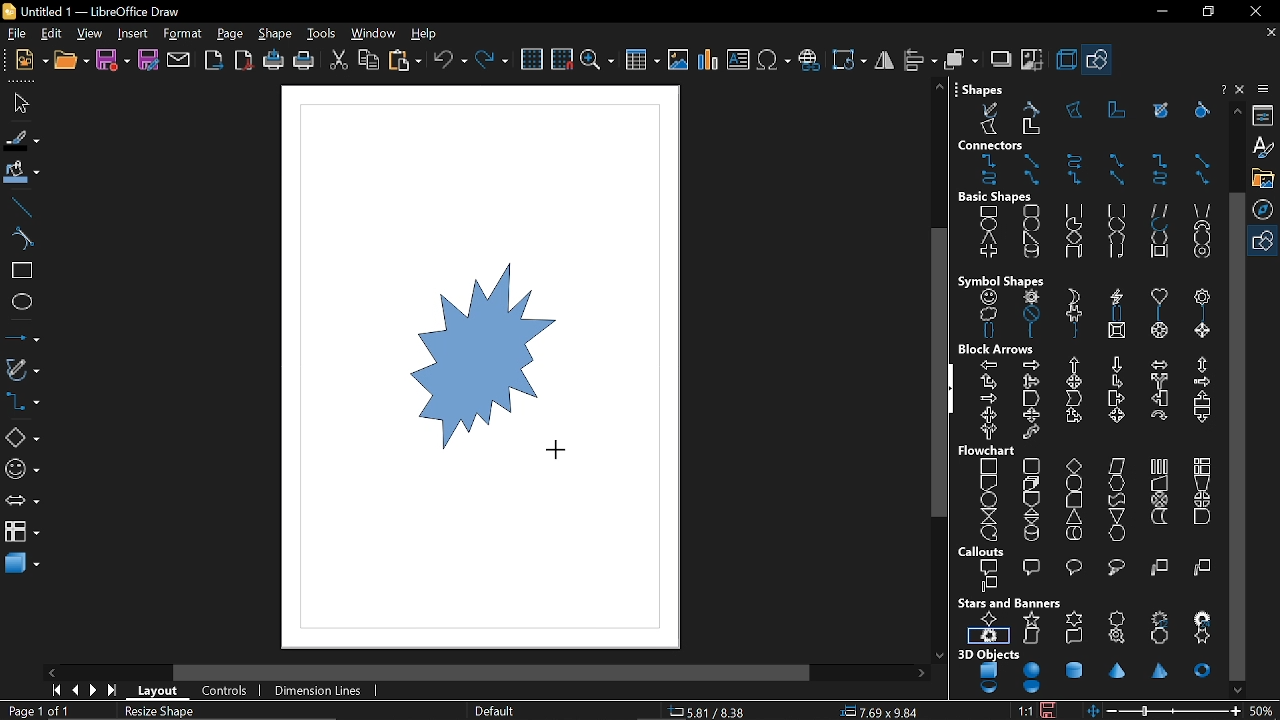  I want to click on co-ordinate, so click(715, 712).